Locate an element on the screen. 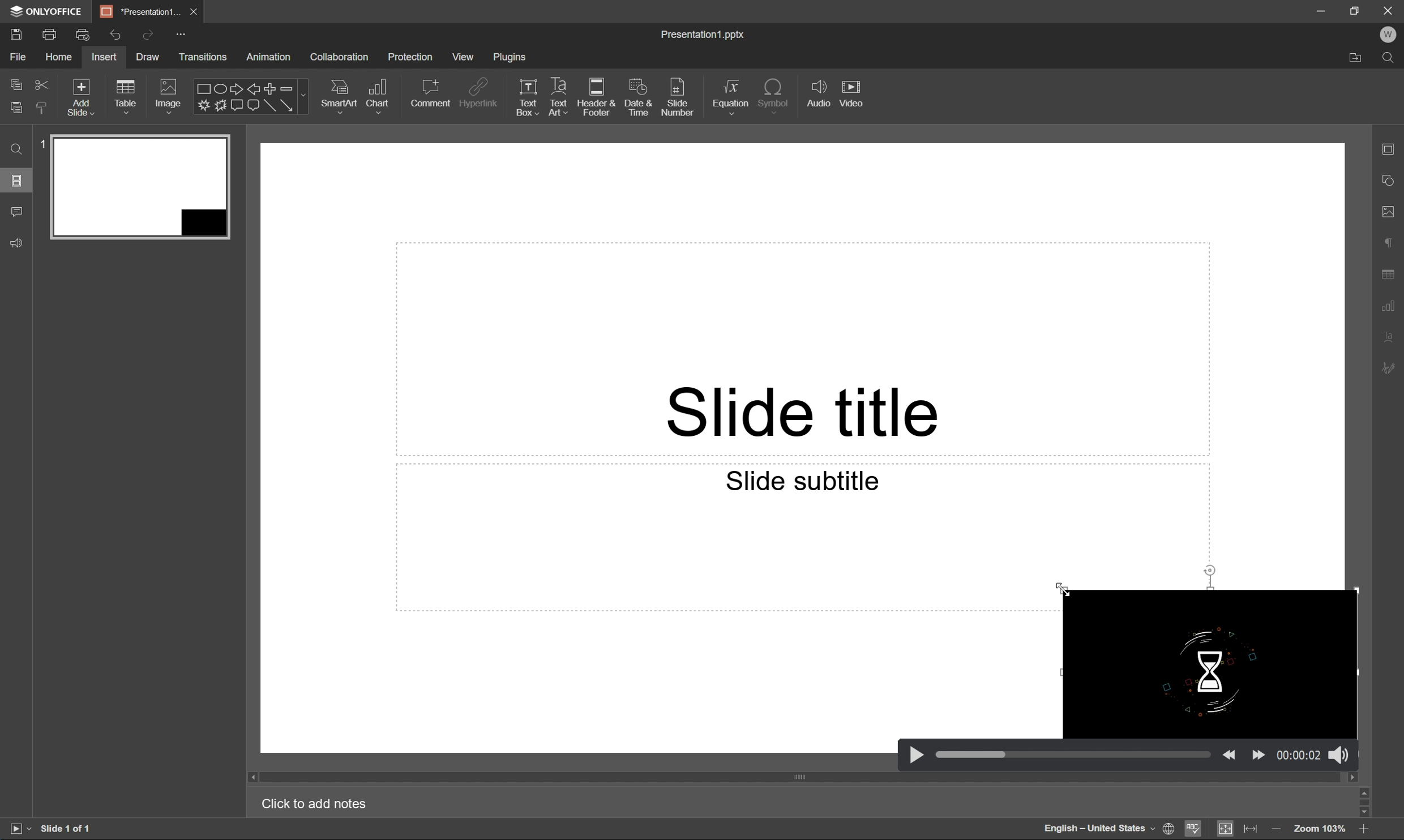  restore down is located at coordinates (1355, 8).